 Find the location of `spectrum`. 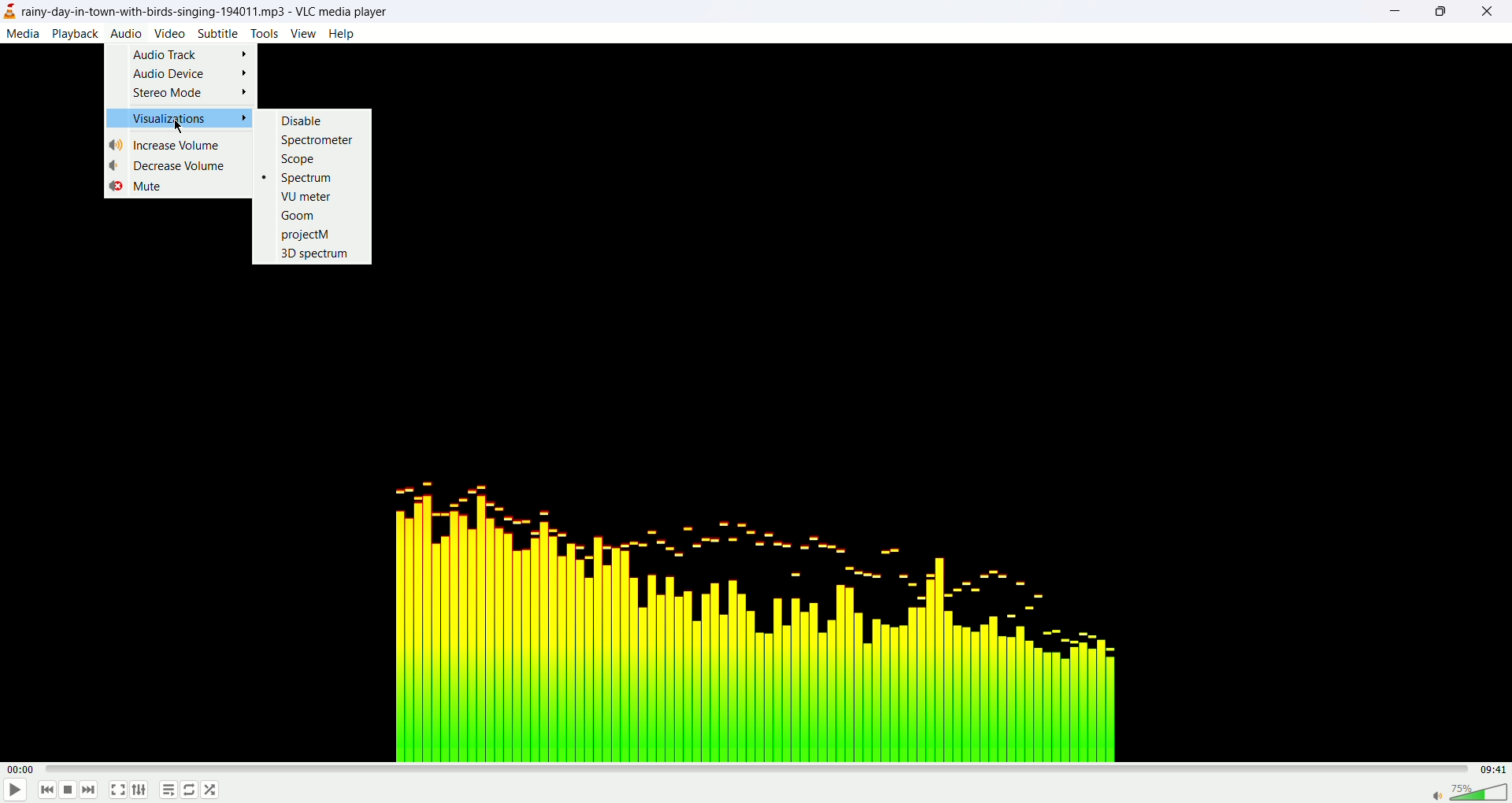

spectrum is located at coordinates (298, 178).